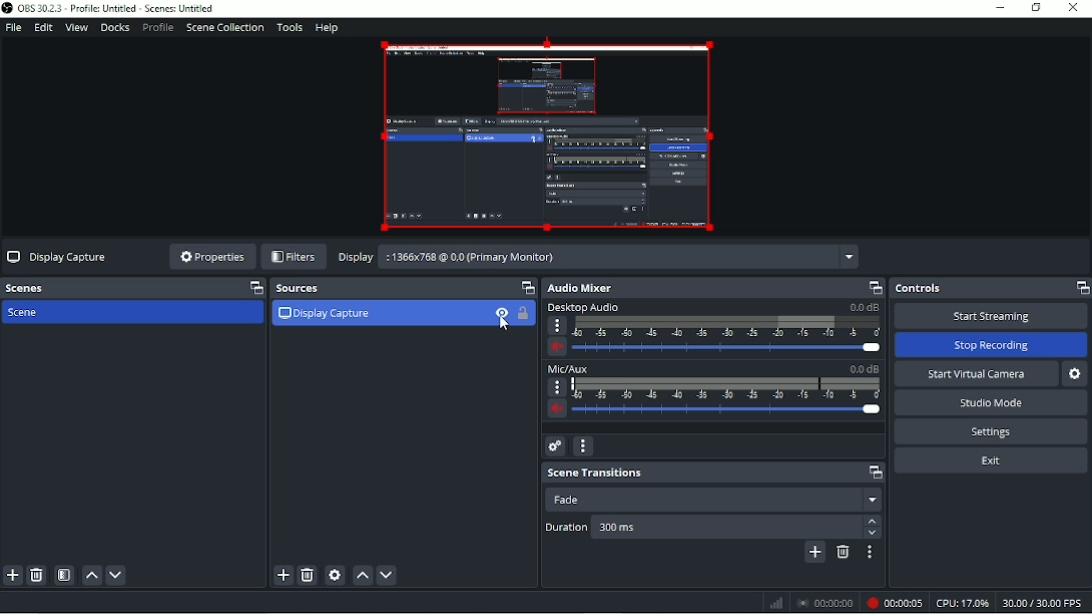  What do you see at coordinates (42, 313) in the screenshot?
I see `Scene` at bounding box center [42, 313].